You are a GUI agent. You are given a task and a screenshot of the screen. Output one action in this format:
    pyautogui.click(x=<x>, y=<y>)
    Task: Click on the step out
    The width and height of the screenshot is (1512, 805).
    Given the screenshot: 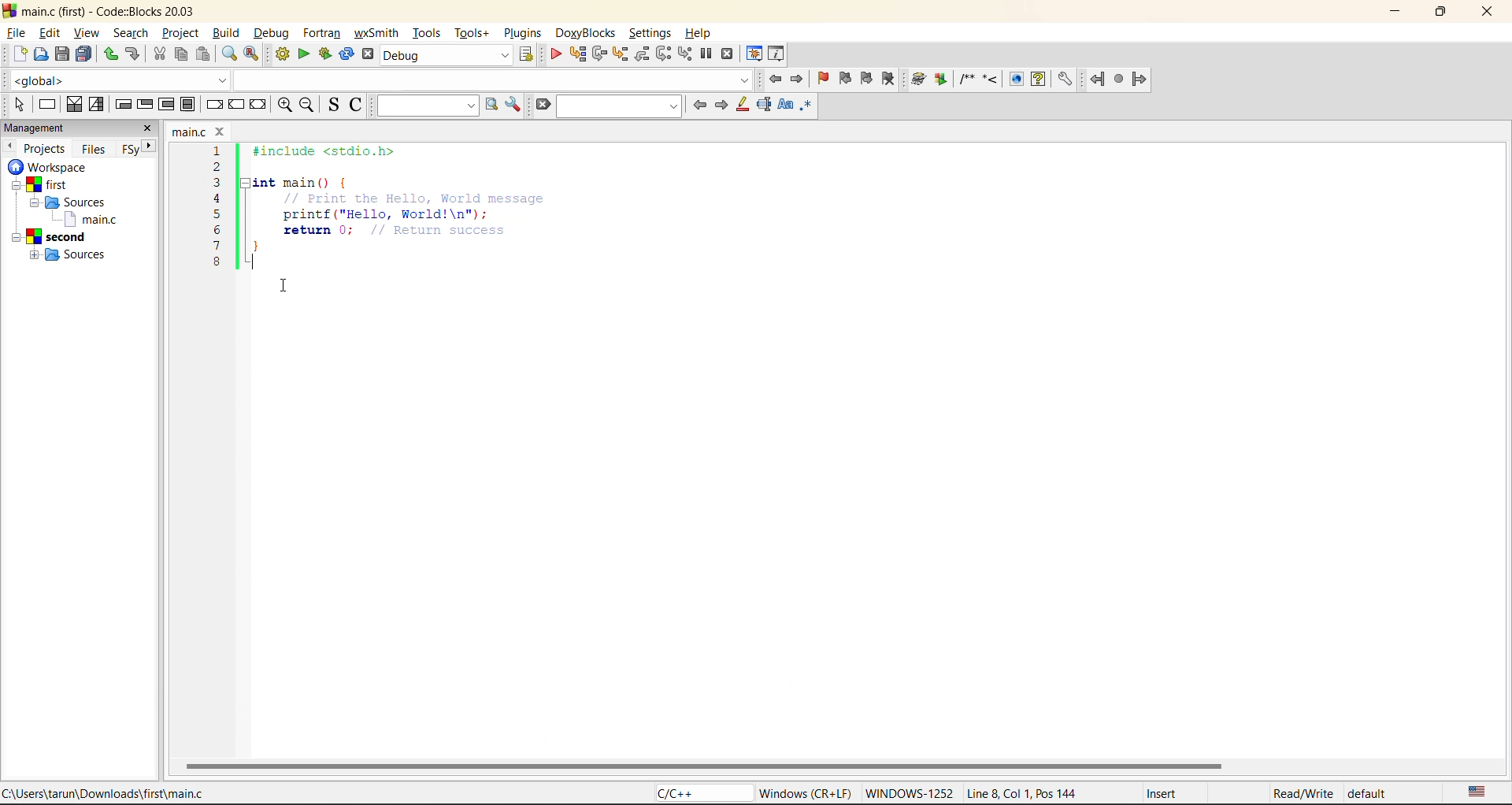 What is the action you would take?
    pyautogui.click(x=641, y=53)
    